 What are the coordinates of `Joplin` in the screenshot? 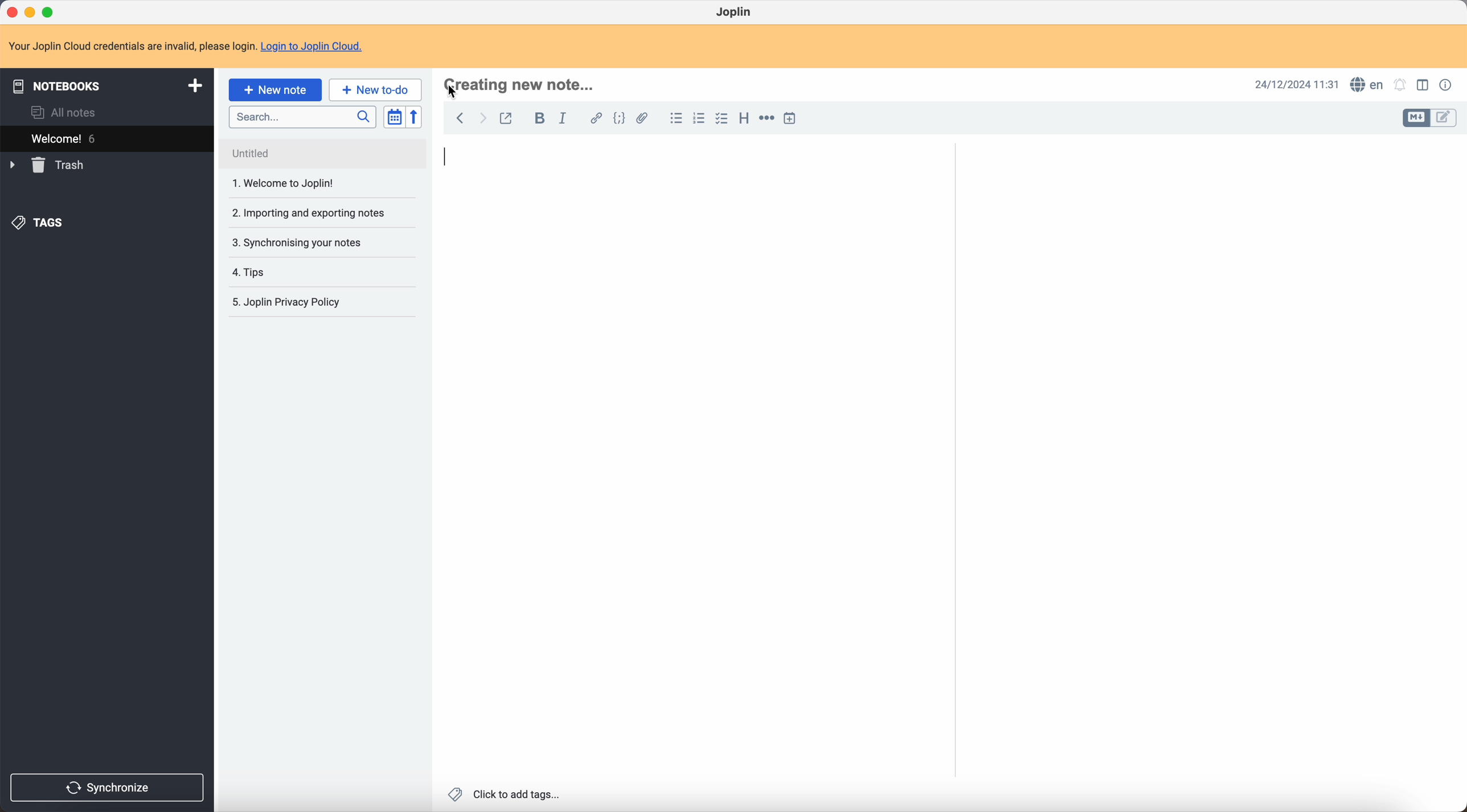 It's located at (733, 11).